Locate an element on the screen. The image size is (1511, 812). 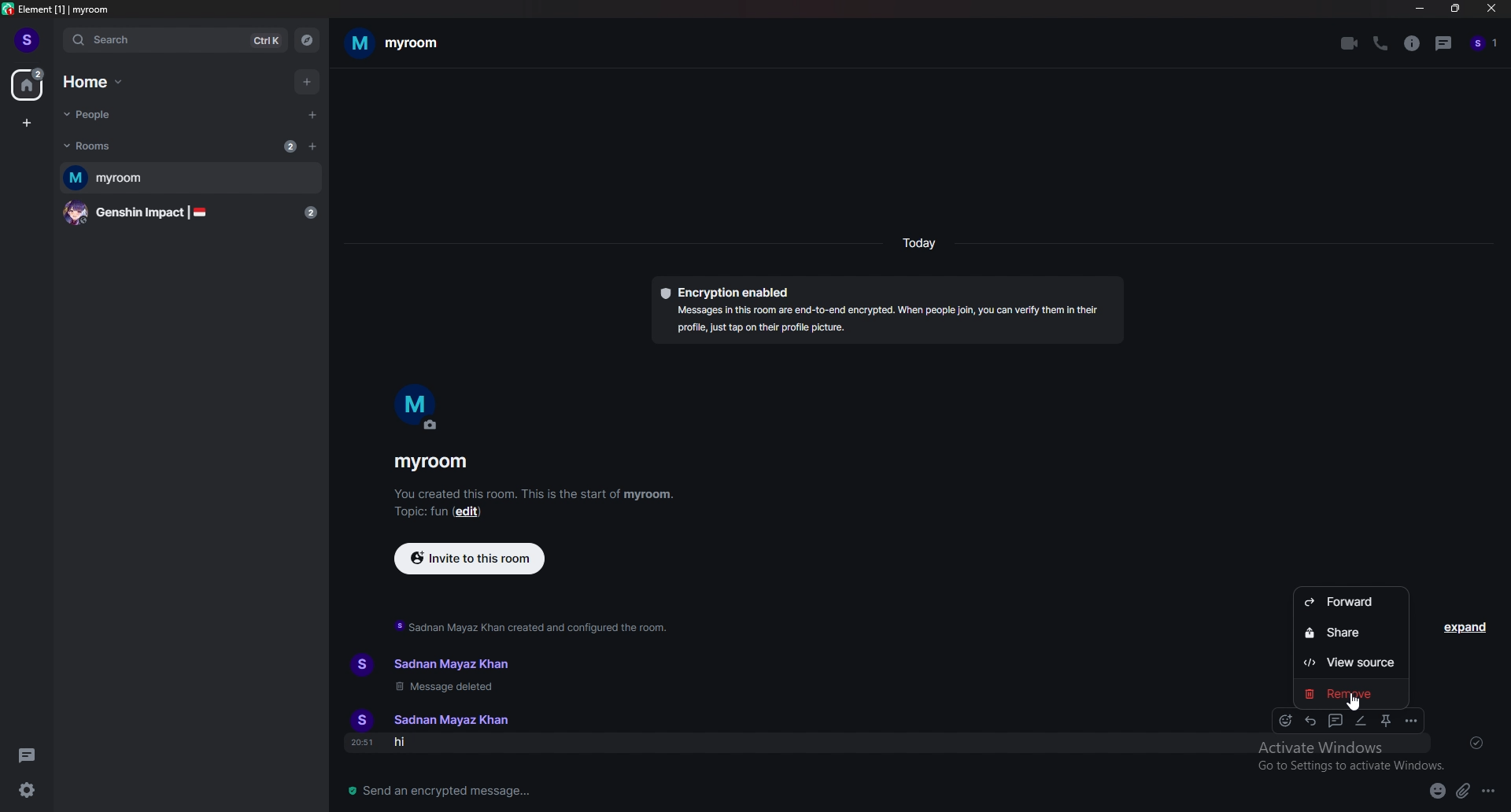
cursor is located at coordinates (1352, 701).